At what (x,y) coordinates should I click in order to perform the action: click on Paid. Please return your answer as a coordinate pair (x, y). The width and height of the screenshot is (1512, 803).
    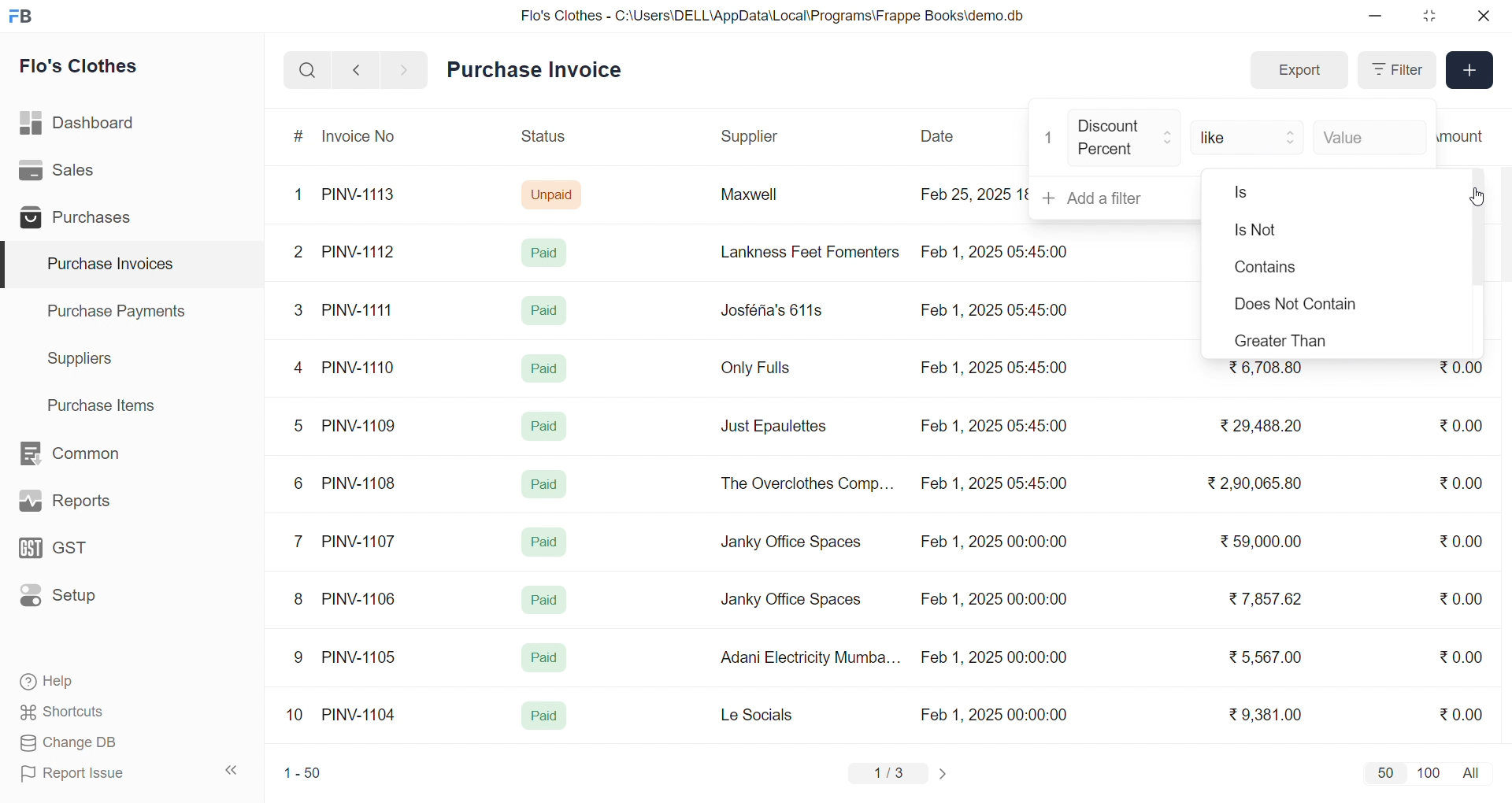
    Looking at the image, I should click on (545, 484).